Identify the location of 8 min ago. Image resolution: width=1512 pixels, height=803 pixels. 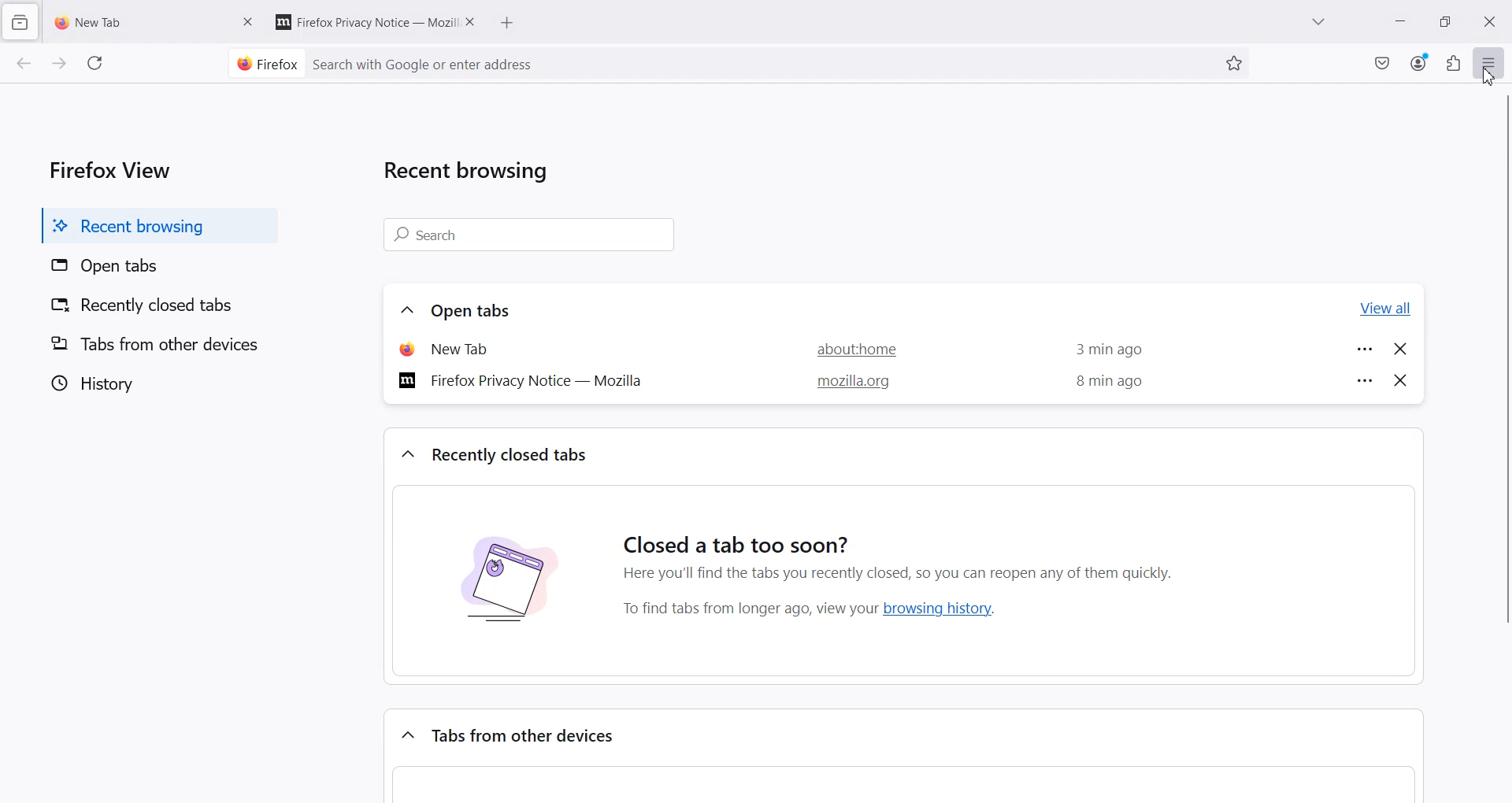
(1109, 383).